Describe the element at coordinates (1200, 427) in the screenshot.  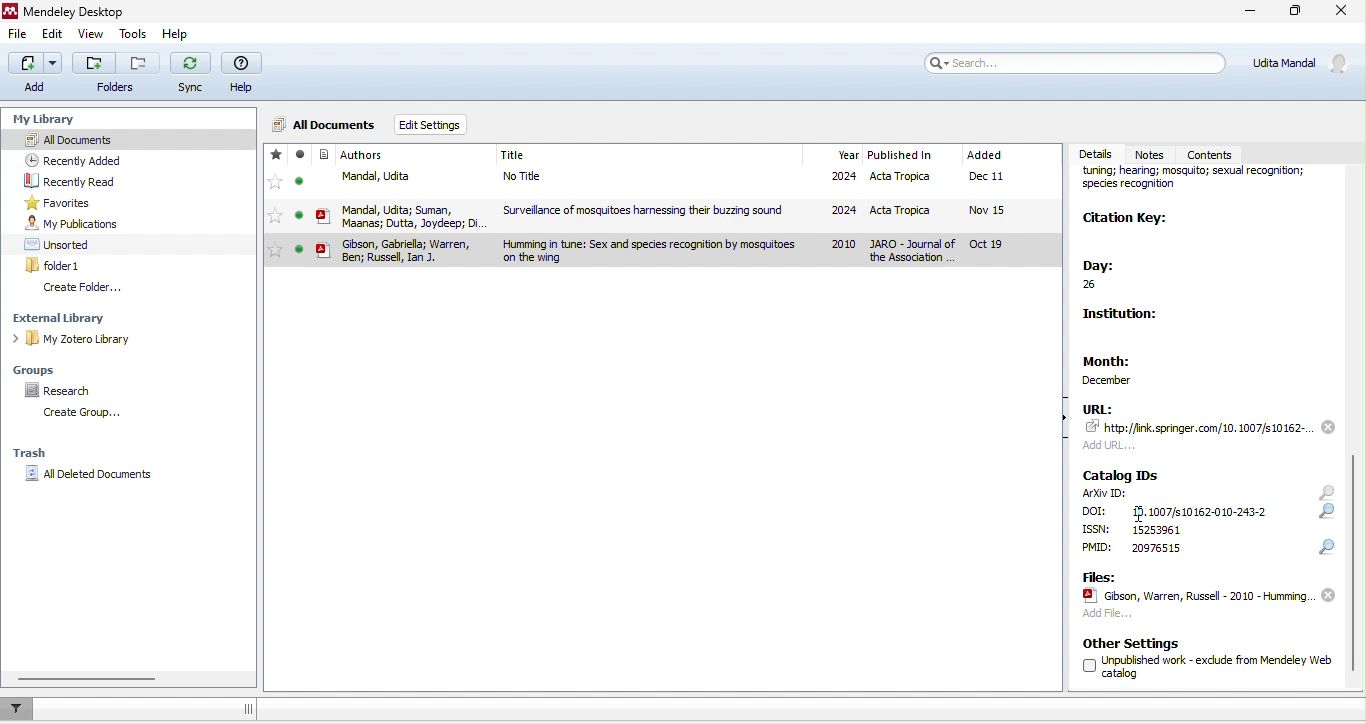
I see `link` at that location.